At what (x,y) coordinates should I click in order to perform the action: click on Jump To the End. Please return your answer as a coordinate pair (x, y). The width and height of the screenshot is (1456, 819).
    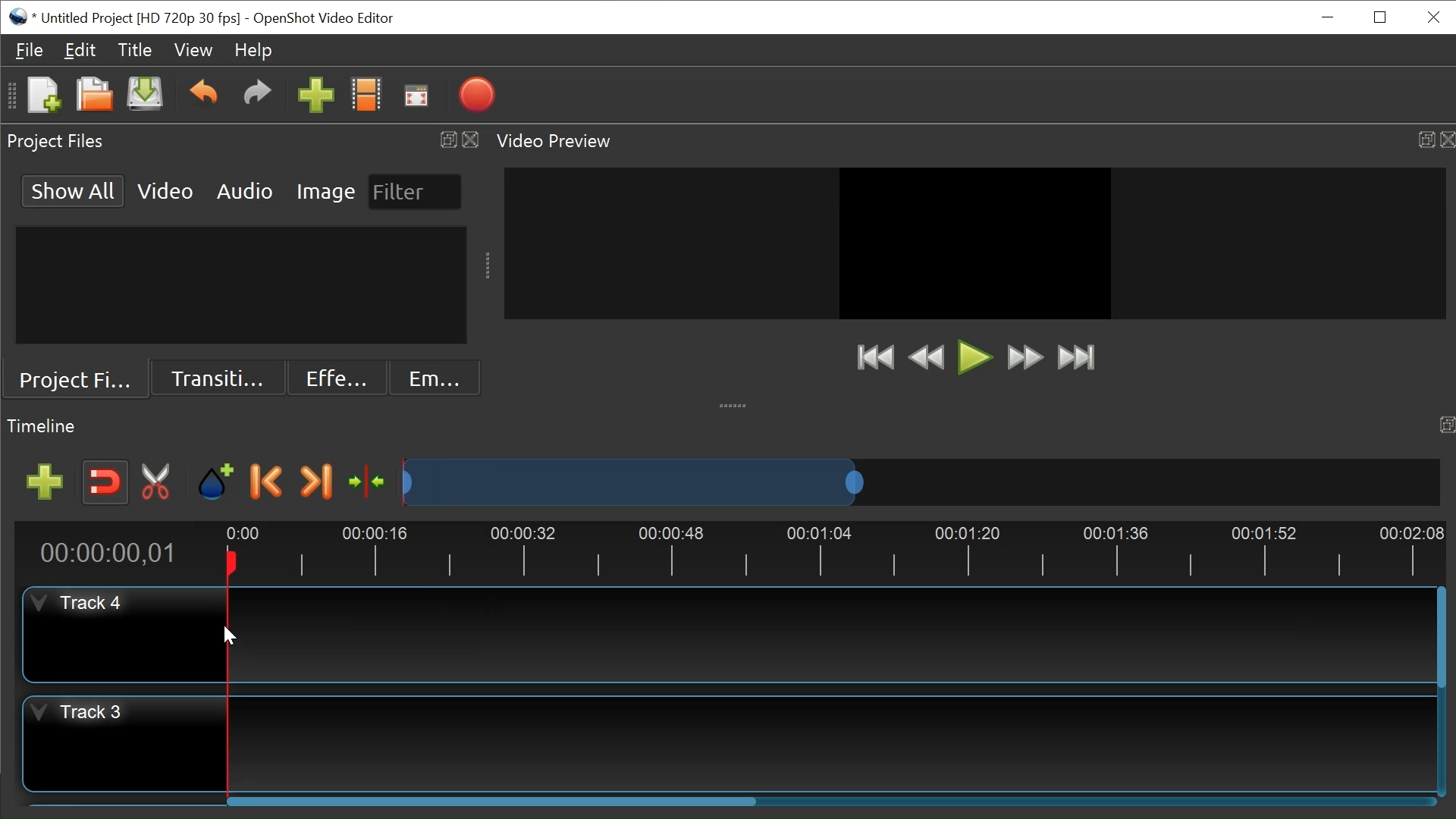
    Looking at the image, I should click on (1077, 357).